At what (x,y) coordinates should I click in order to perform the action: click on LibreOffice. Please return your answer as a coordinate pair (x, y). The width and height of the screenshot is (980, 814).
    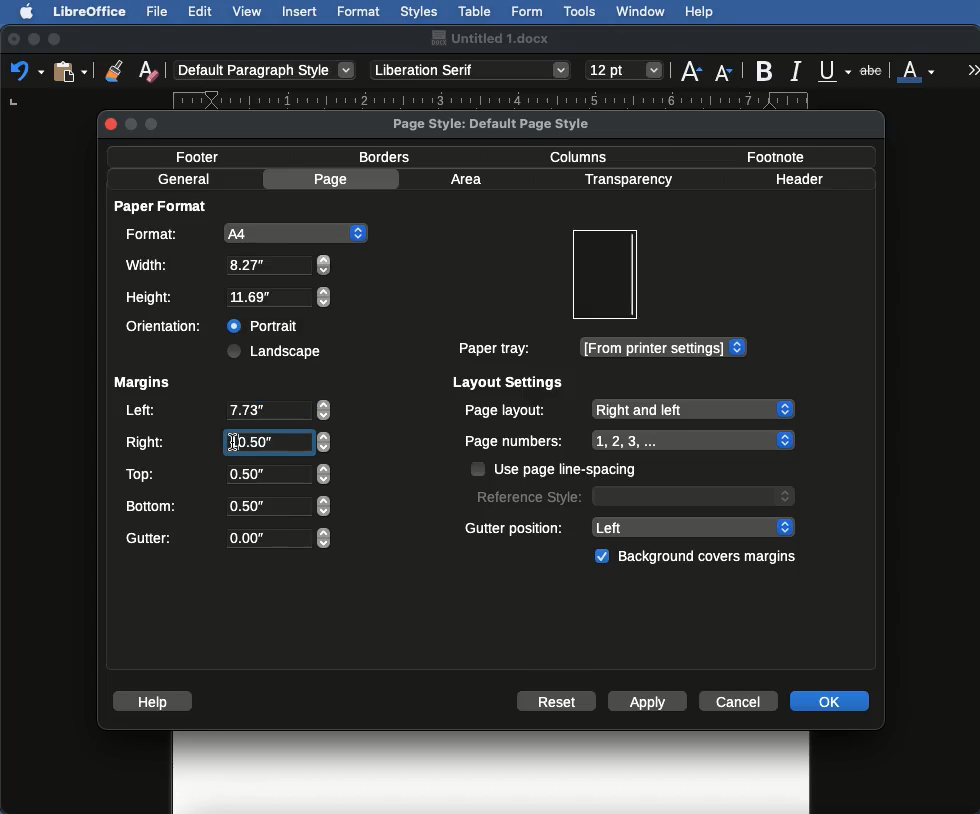
    Looking at the image, I should click on (89, 11).